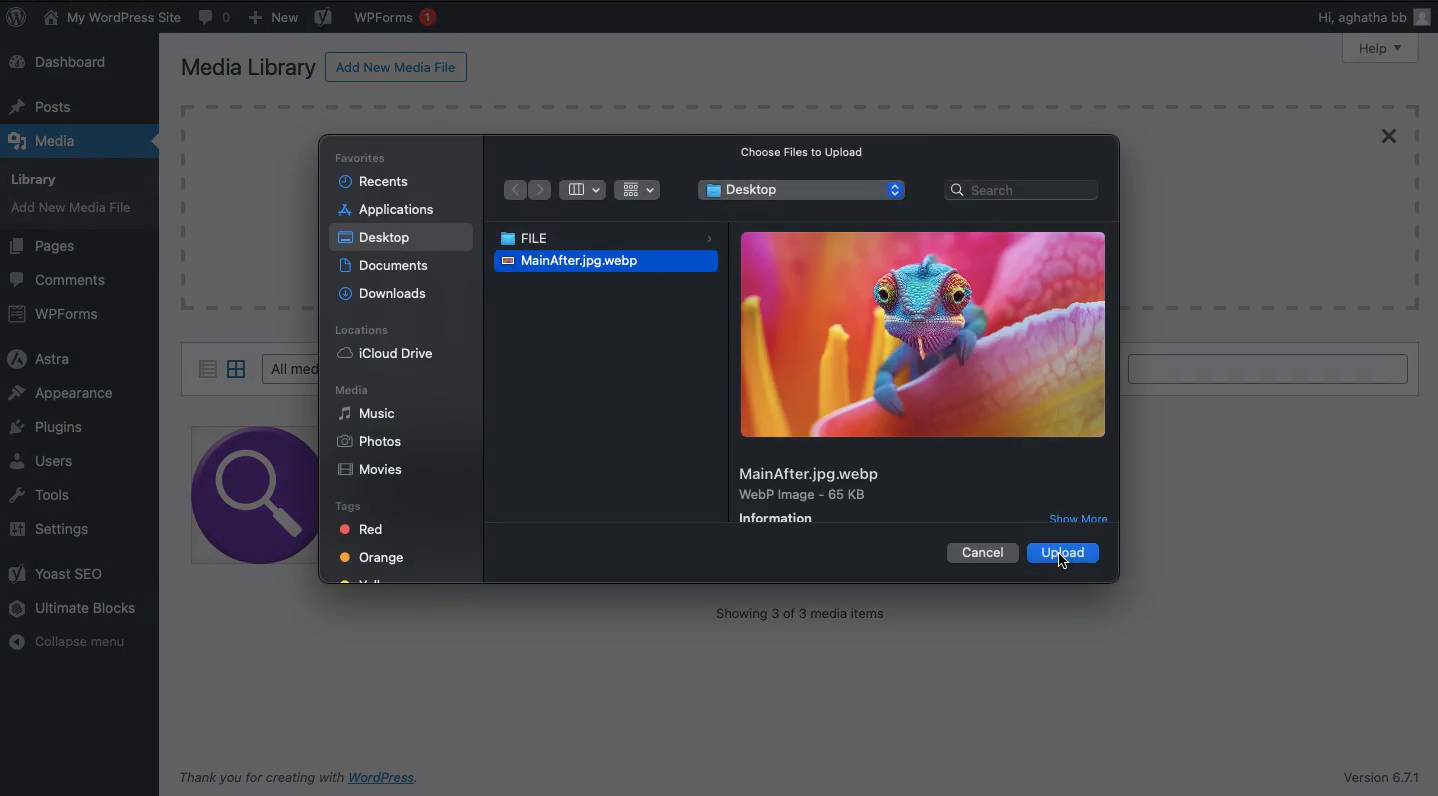 The height and width of the screenshot is (796, 1438). What do you see at coordinates (275, 20) in the screenshot?
I see `New` at bounding box center [275, 20].